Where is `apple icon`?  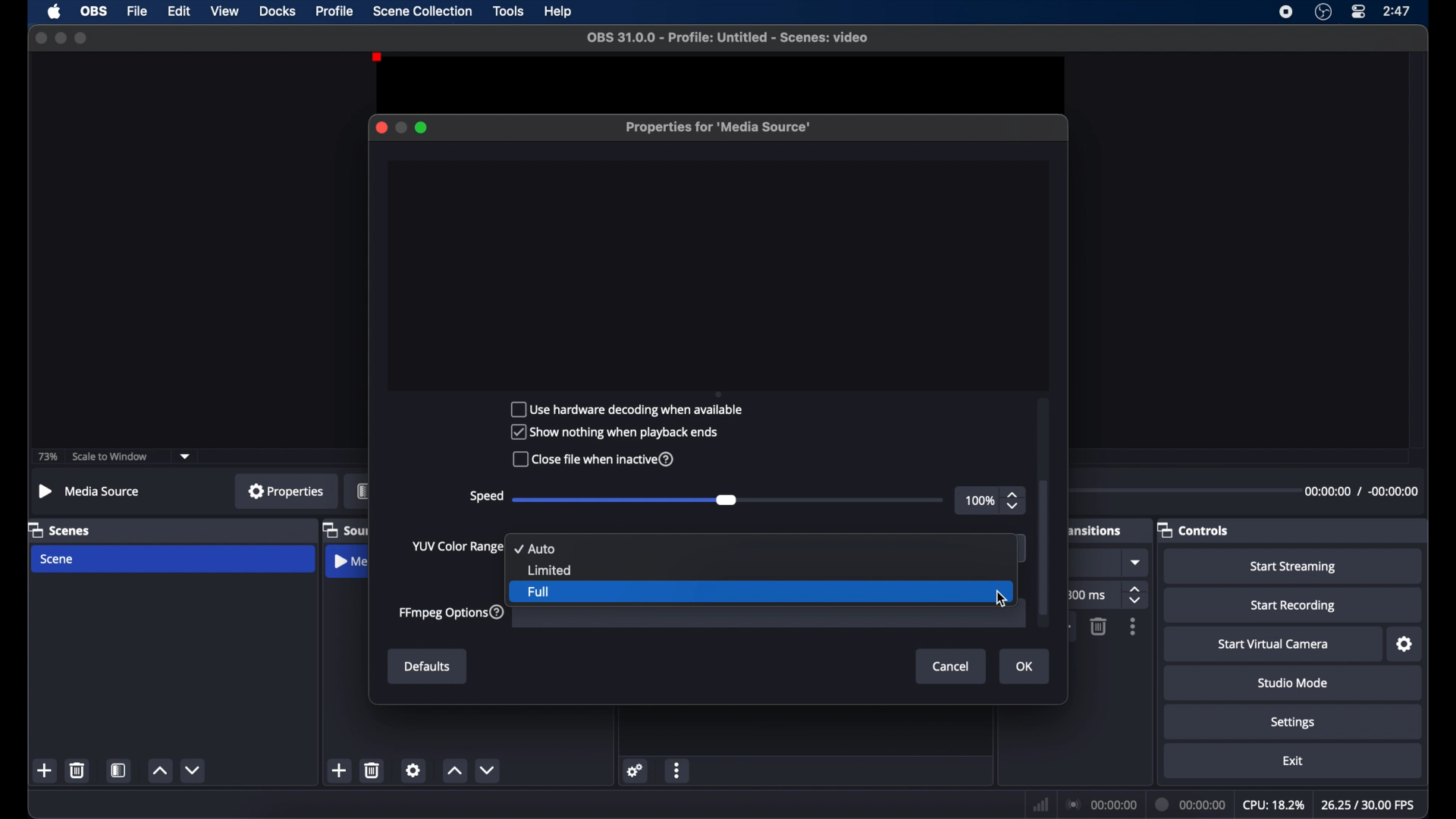
apple icon is located at coordinates (55, 11).